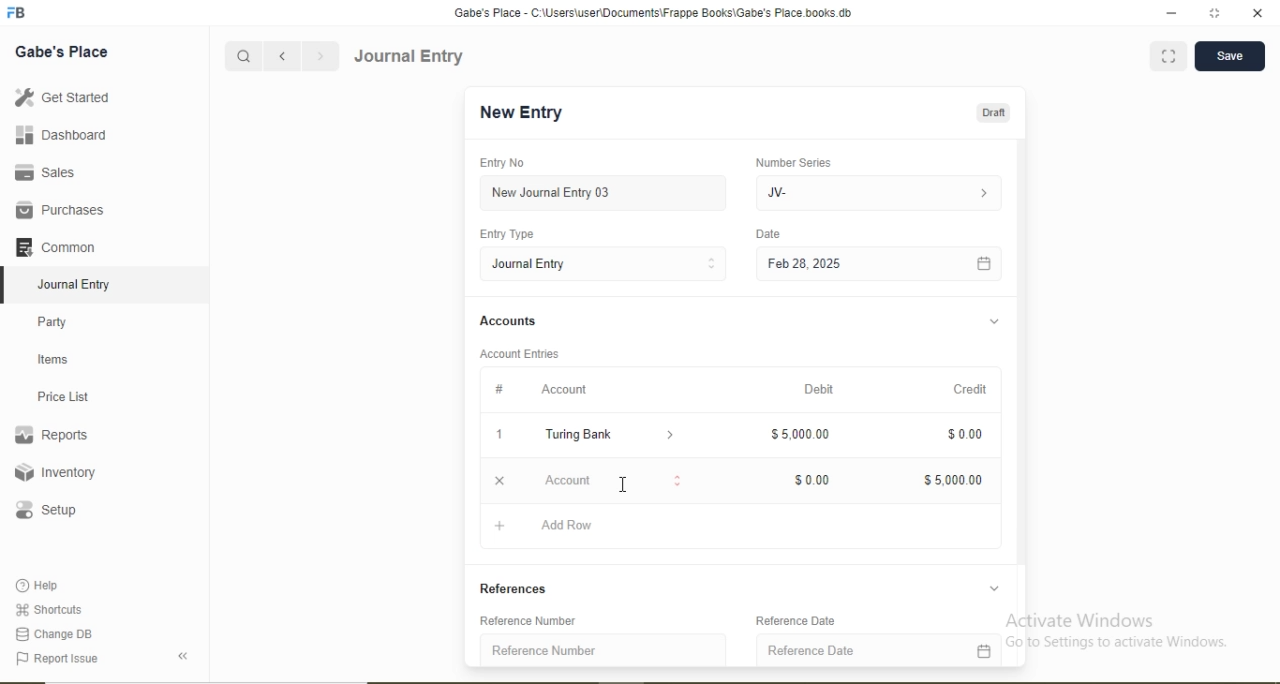 This screenshot has width=1280, height=684. Describe the element at coordinates (410, 56) in the screenshot. I see `Journal Entry` at that location.